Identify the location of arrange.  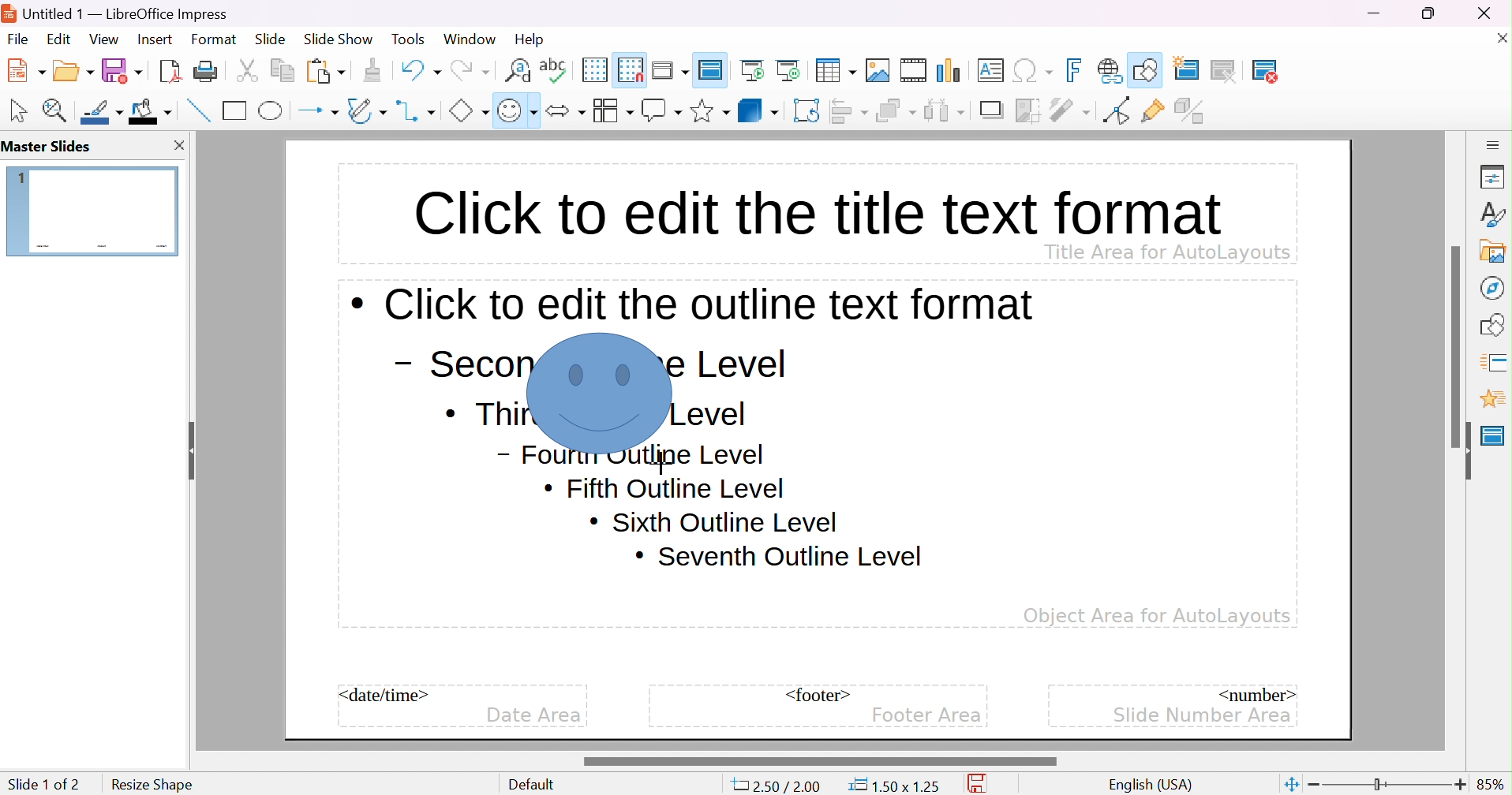
(896, 110).